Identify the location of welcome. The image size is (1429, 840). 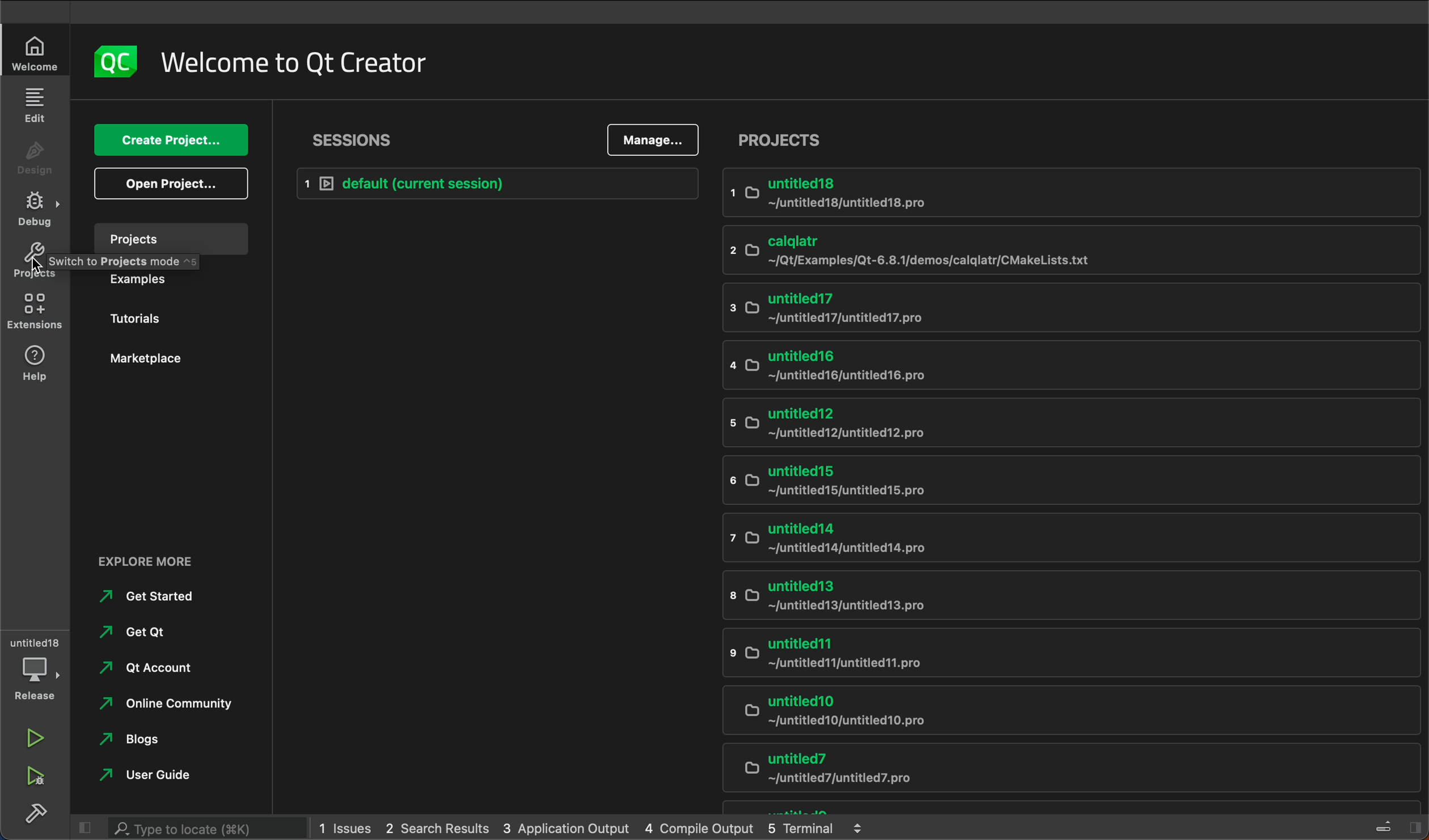
(296, 63).